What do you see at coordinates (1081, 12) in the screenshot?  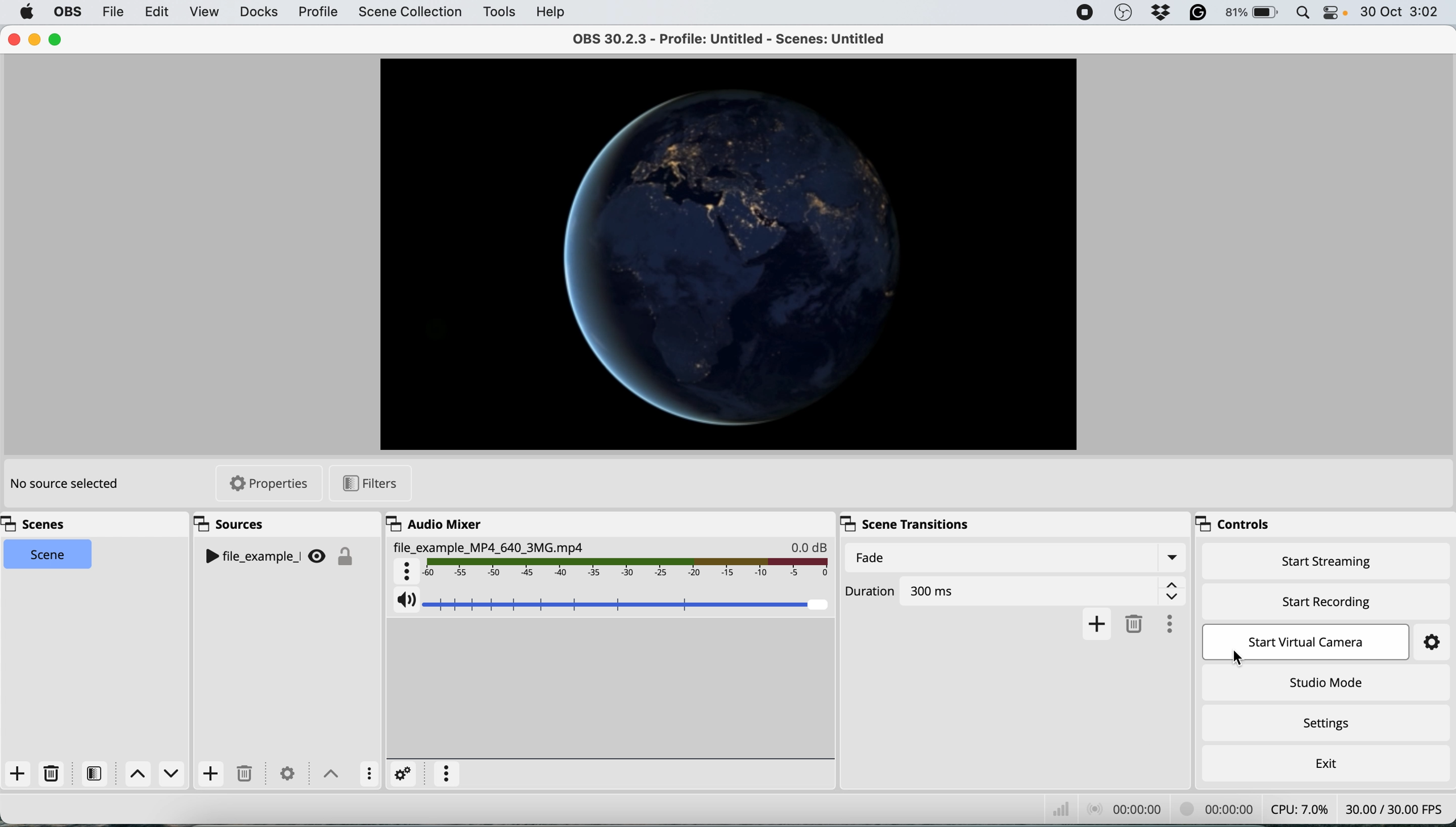 I see `screen recorder` at bounding box center [1081, 12].